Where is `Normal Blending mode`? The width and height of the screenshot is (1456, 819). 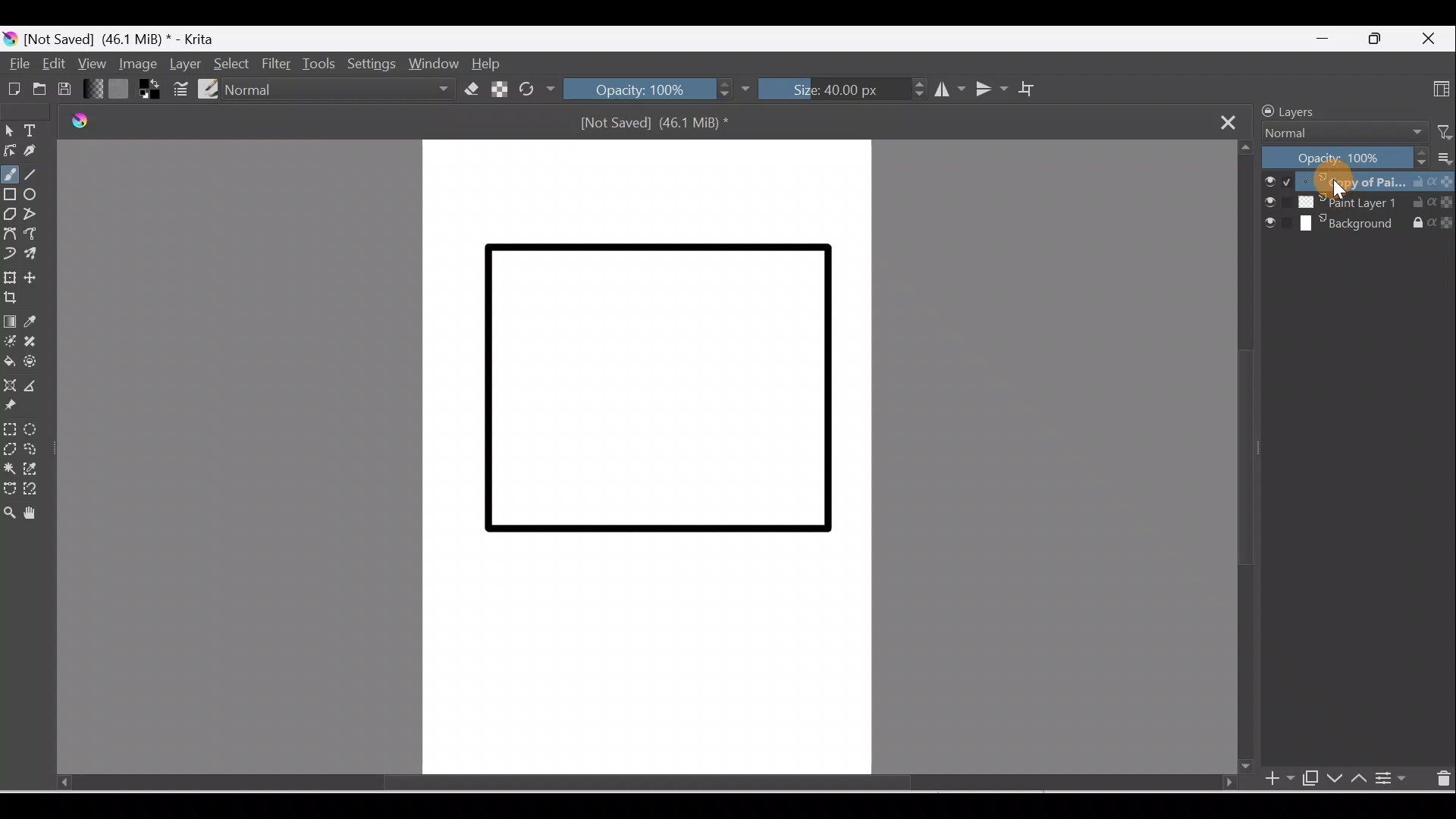 Normal Blending mode is located at coordinates (1337, 133).